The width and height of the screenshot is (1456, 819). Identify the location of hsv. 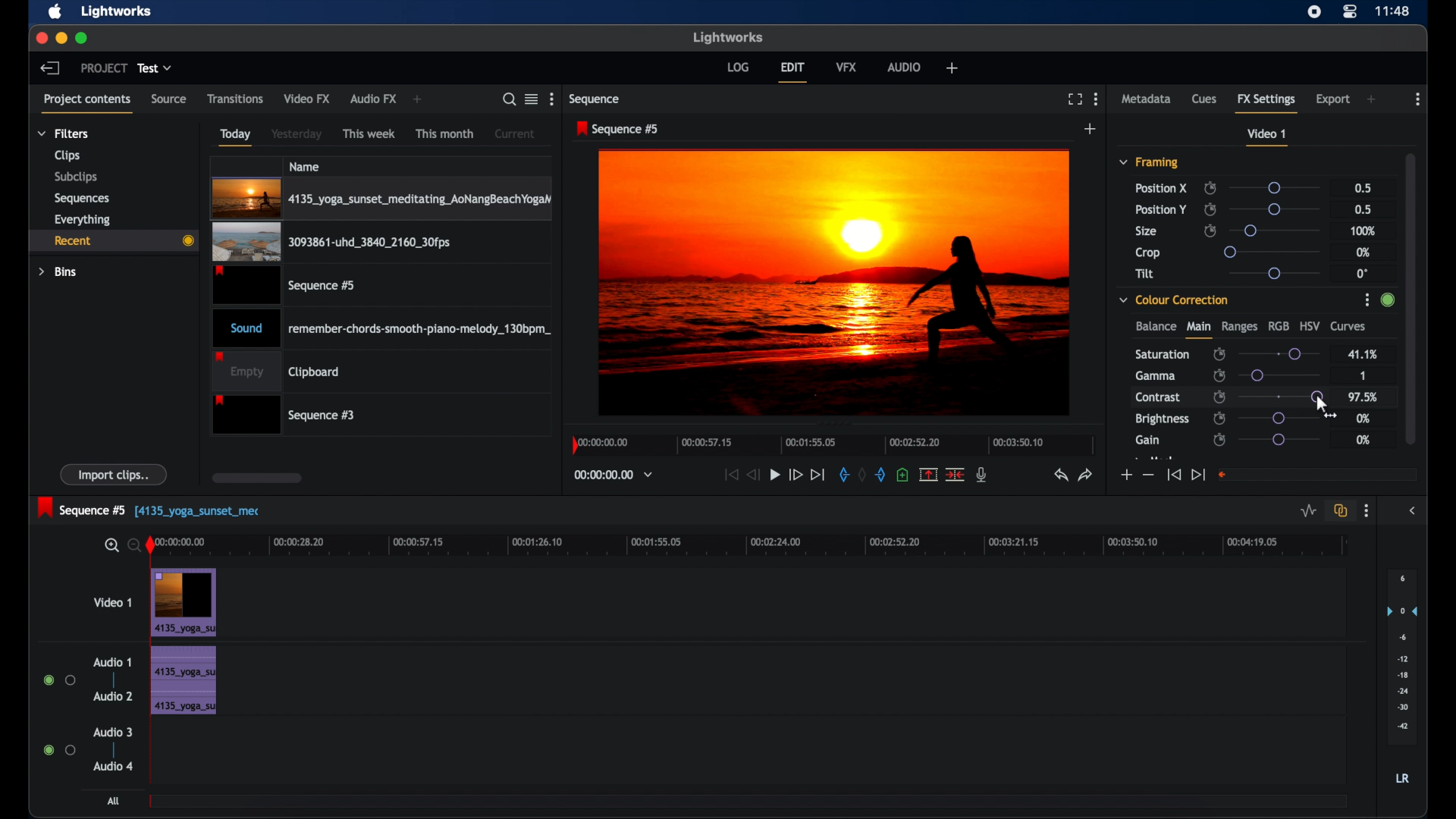
(1310, 325).